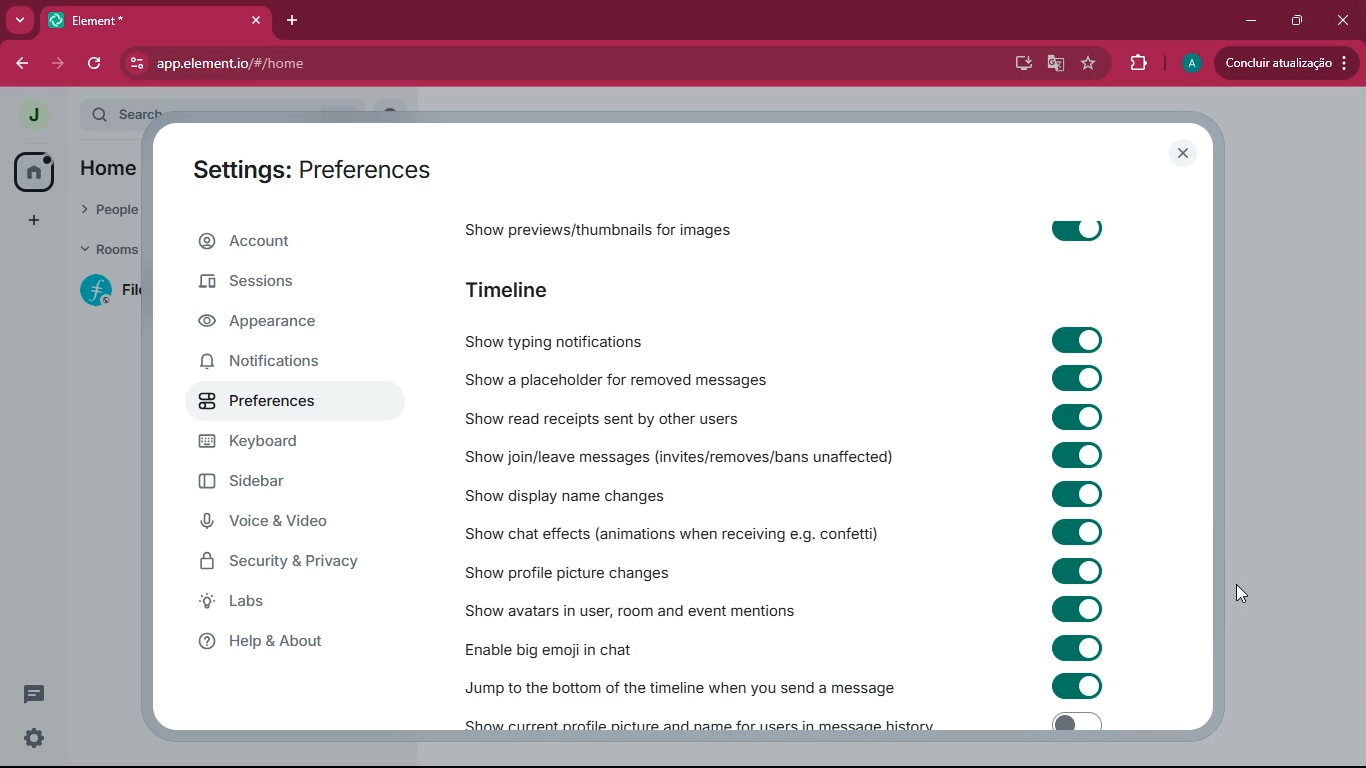 This screenshot has height=768, width=1366. What do you see at coordinates (694, 725) in the screenshot?
I see `show current  profile picture and name for users in message history` at bounding box center [694, 725].